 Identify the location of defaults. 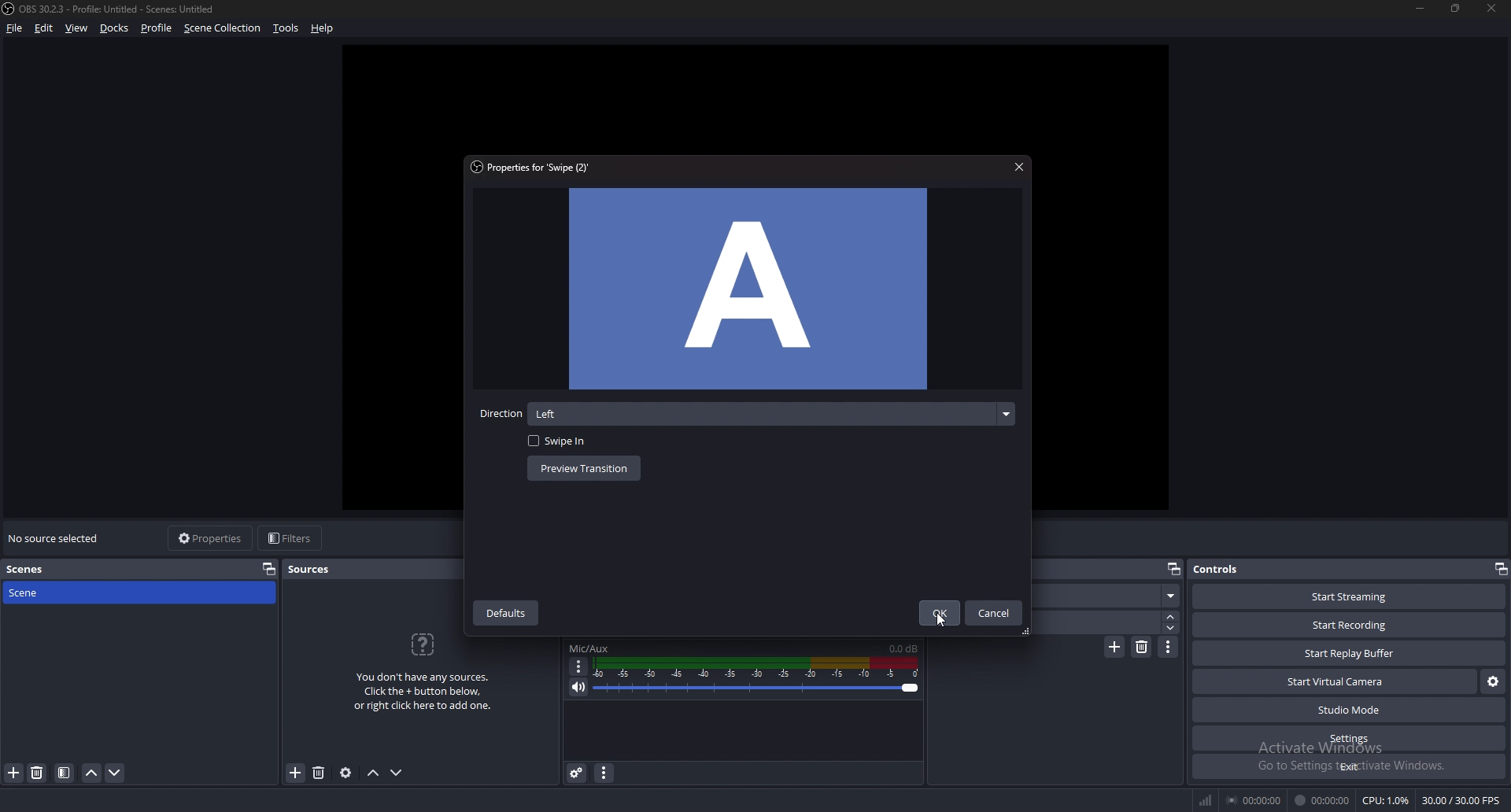
(509, 615).